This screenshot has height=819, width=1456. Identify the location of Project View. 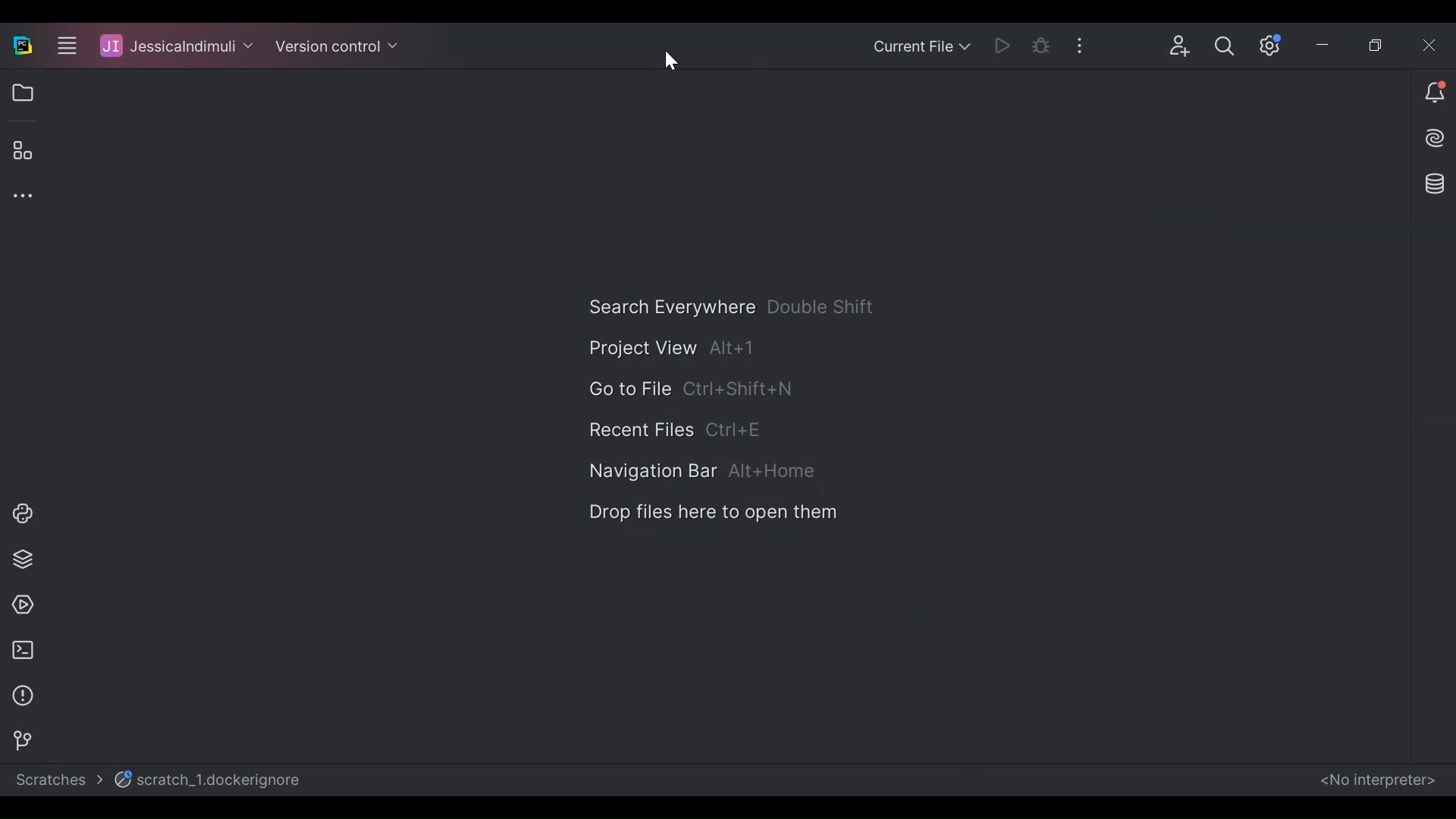
(669, 348).